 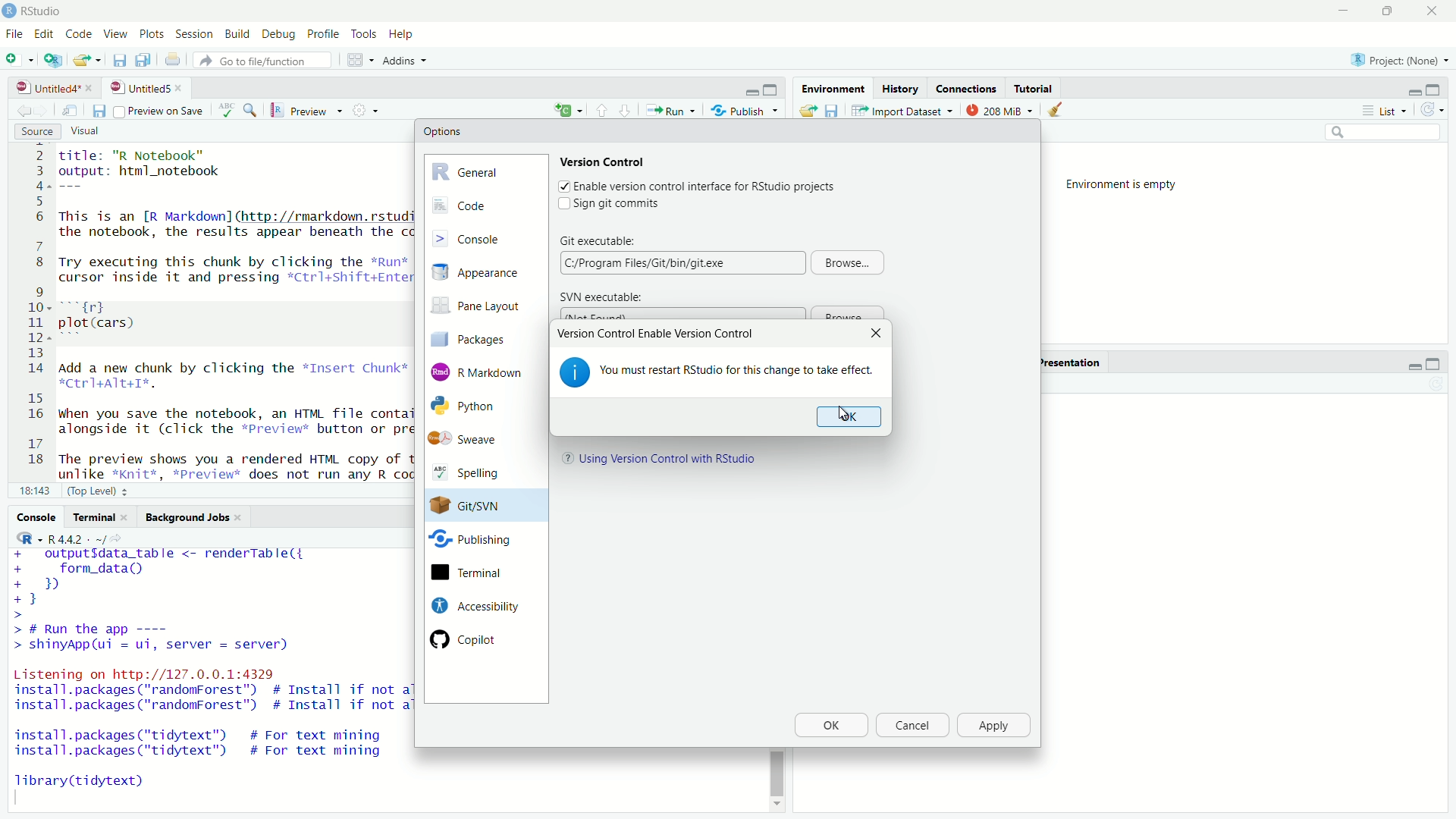 What do you see at coordinates (59, 538) in the screenshot?
I see `R - R442 ~/` at bounding box center [59, 538].